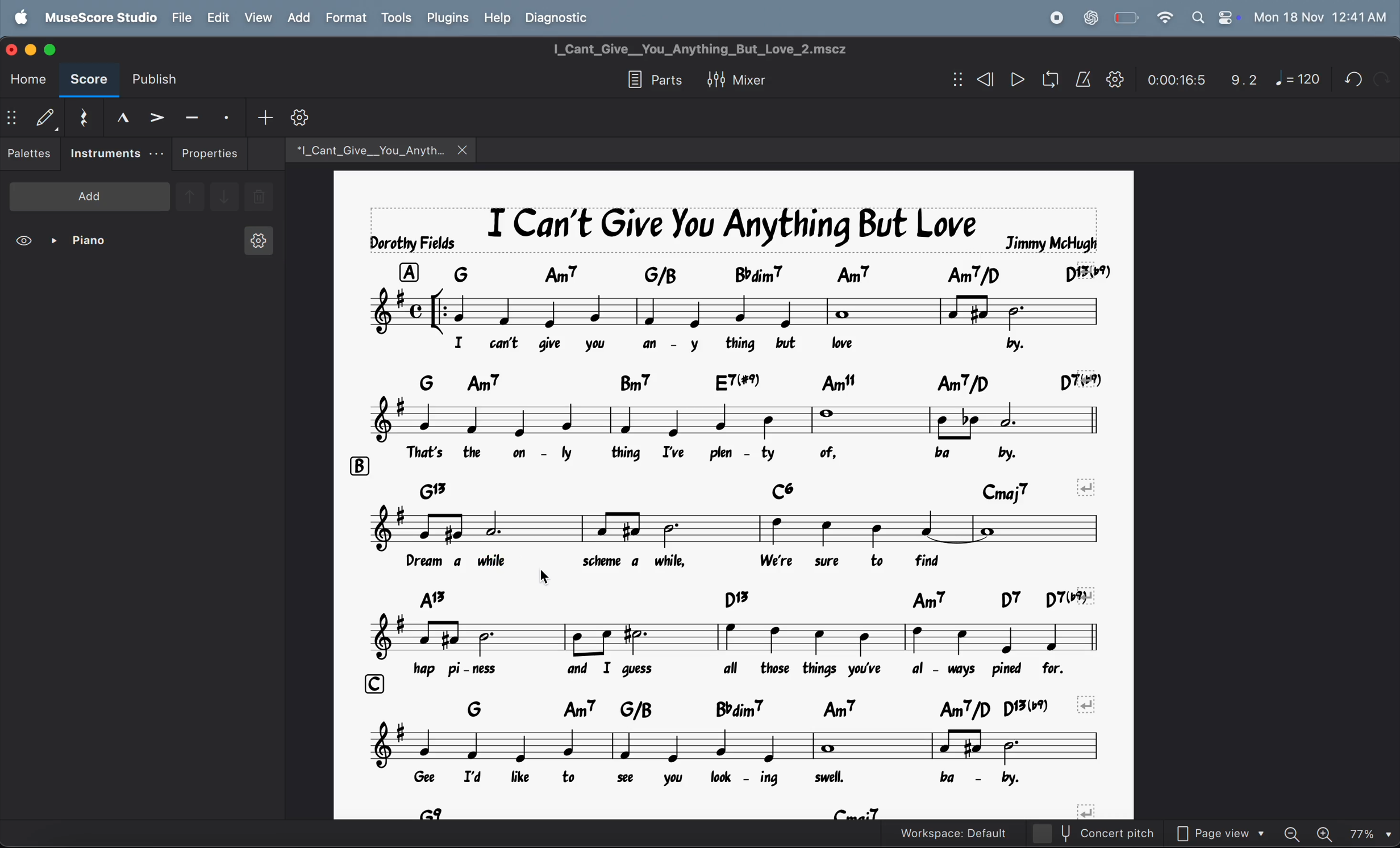 Image resolution: width=1400 pixels, height=848 pixels. I want to click on go upward, so click(190, 195).